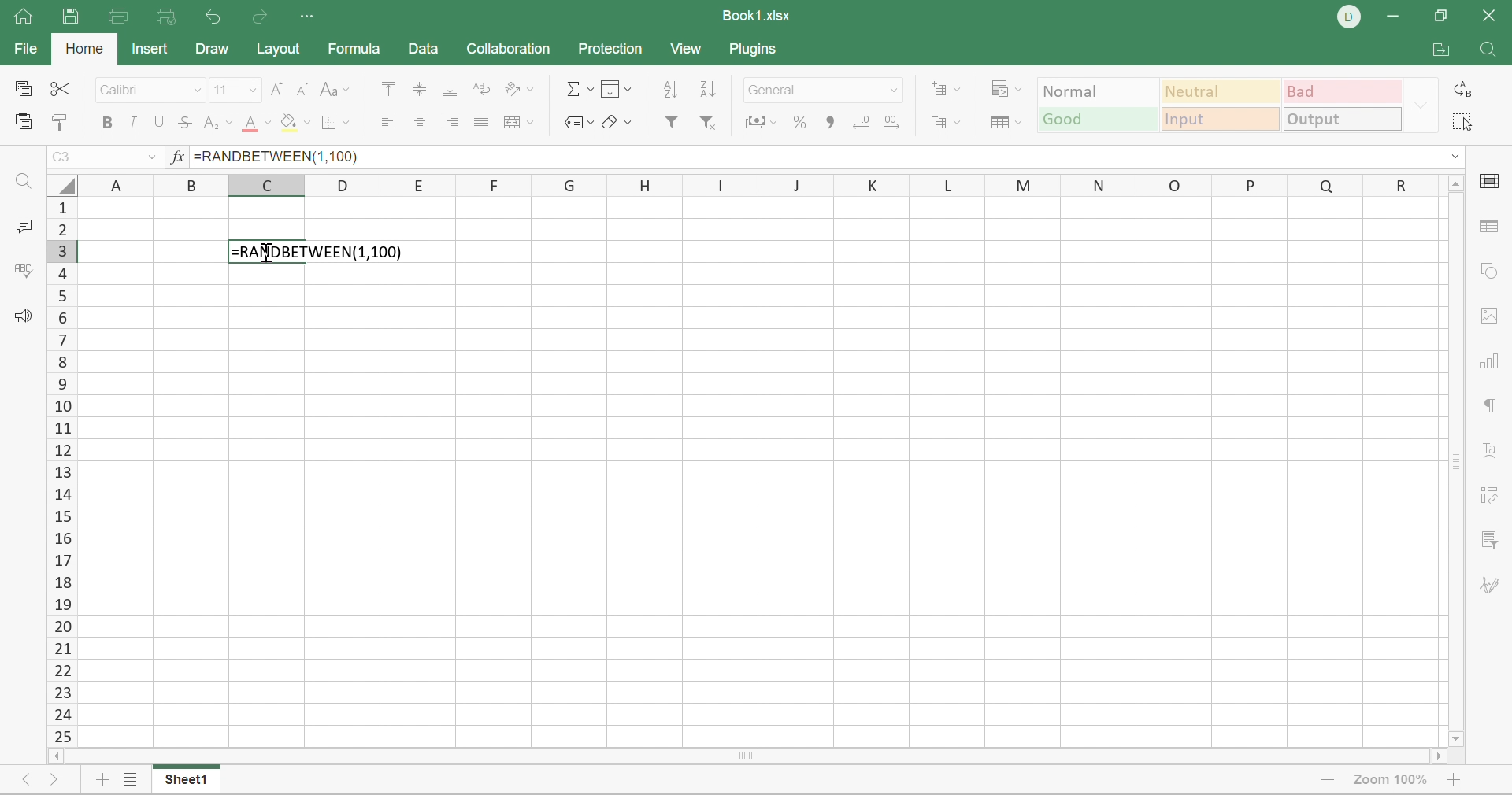 The width and height of the screenshot is (1512, 795). Describe the element at coordinates (133, 124) in the screenshot. I see `Italic` at that location.